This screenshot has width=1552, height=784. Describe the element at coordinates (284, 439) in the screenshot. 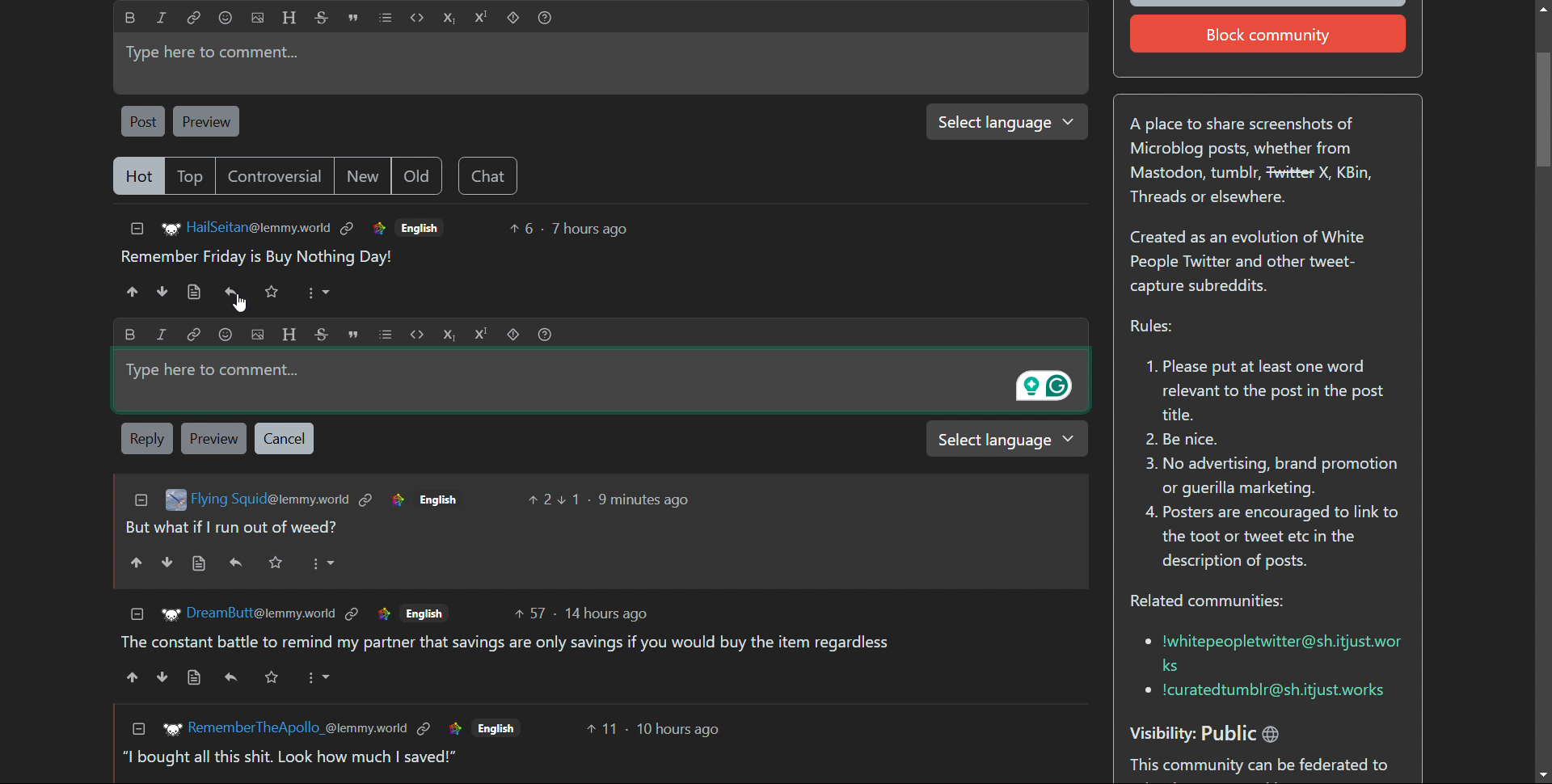

I see `cancel` at that location.